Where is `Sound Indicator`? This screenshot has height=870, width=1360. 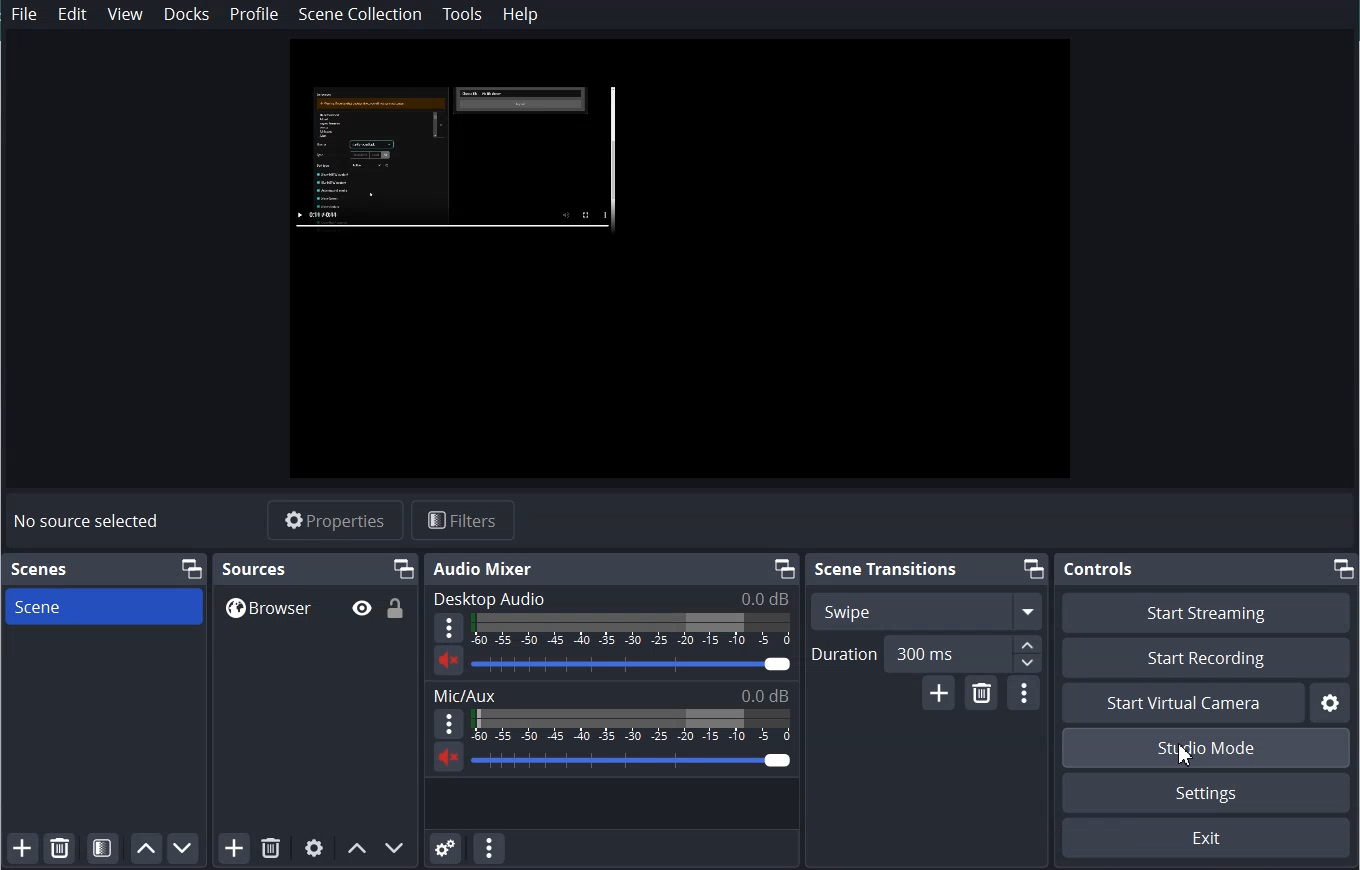
Sound Indicator is located at coordinates (631, 725).